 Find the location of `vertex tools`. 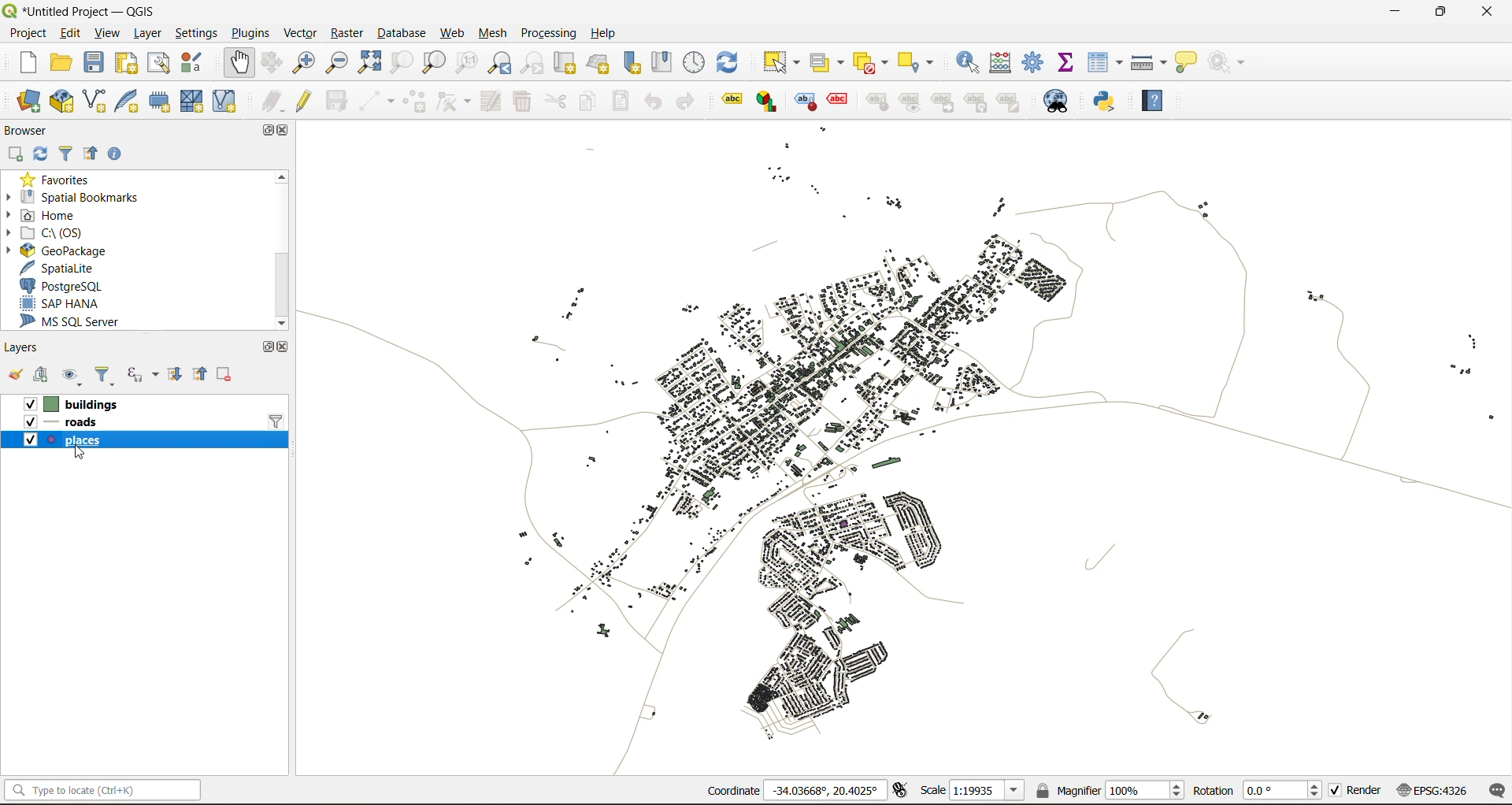

vertex tools is located at coordinates (454, 101).